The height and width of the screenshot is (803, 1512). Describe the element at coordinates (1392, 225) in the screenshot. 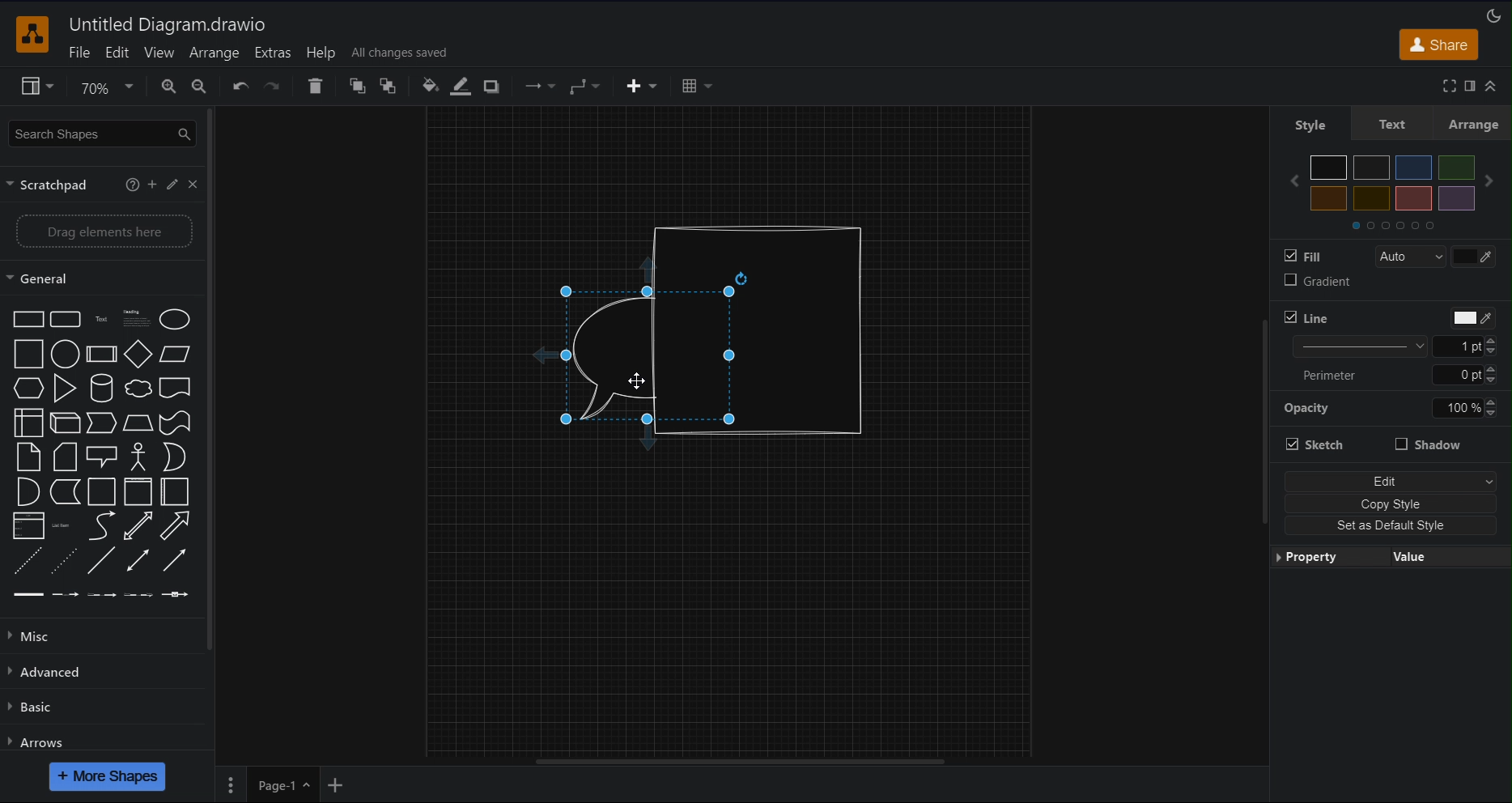

I see `Color sets` at that location.